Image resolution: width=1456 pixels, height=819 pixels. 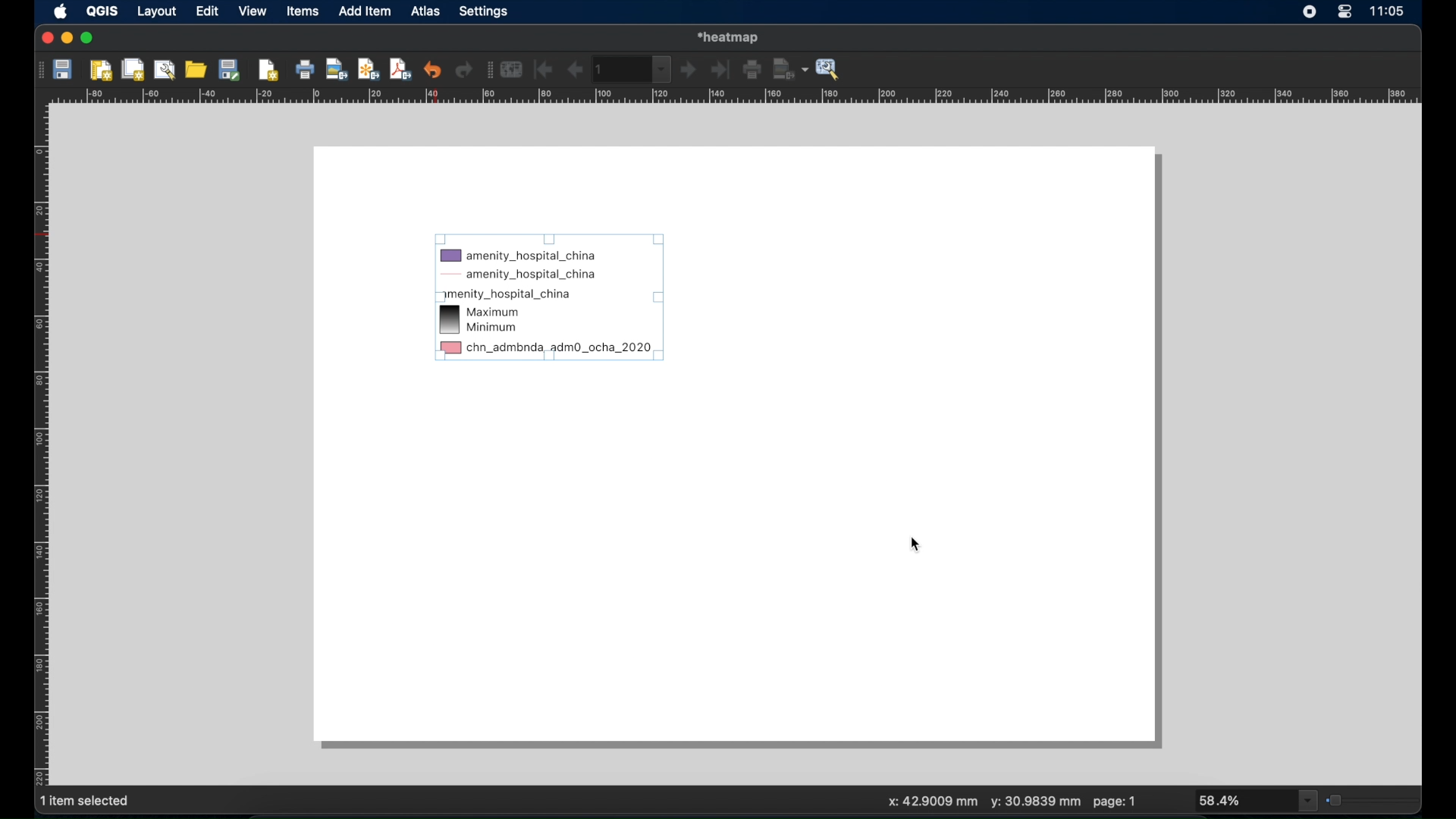 What do you see at coordinates (166, 70) in the screenshot?
I see `layout manager` at bounding box center [166, 70].